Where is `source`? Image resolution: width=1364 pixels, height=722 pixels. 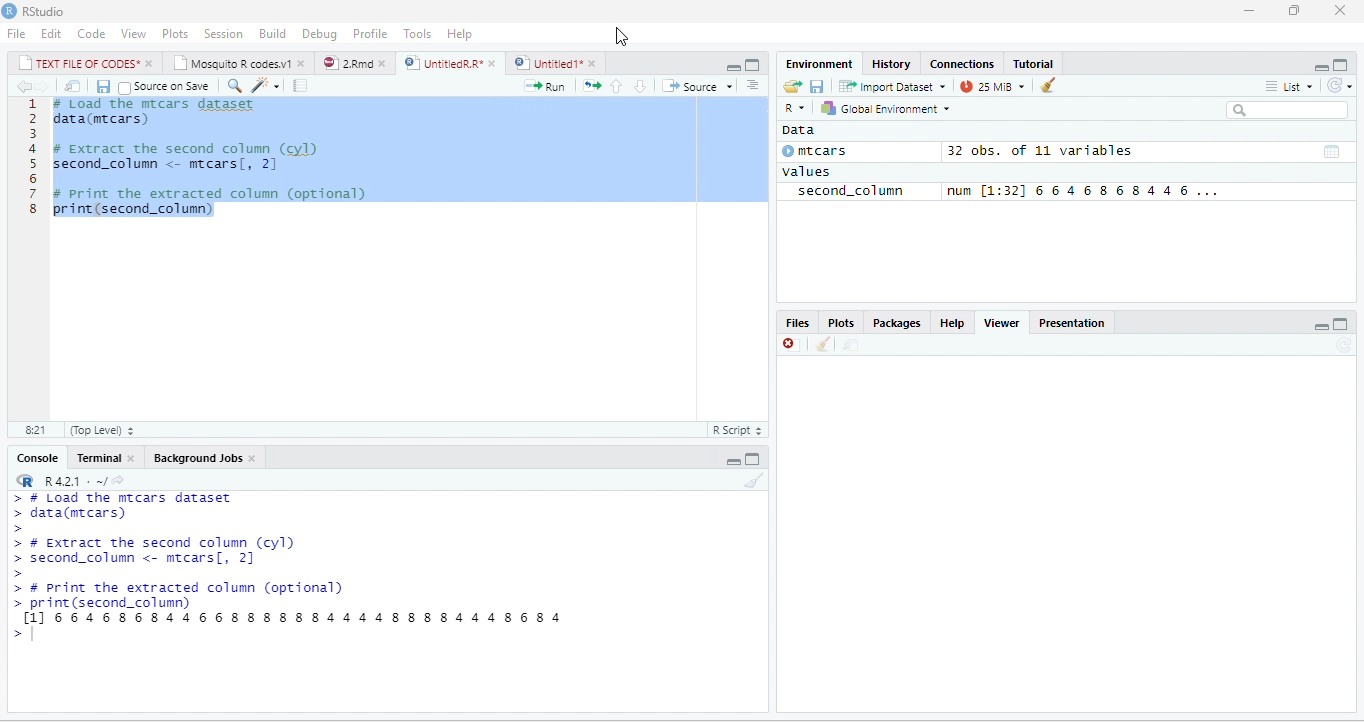 source is located at coordinates (688, 87).